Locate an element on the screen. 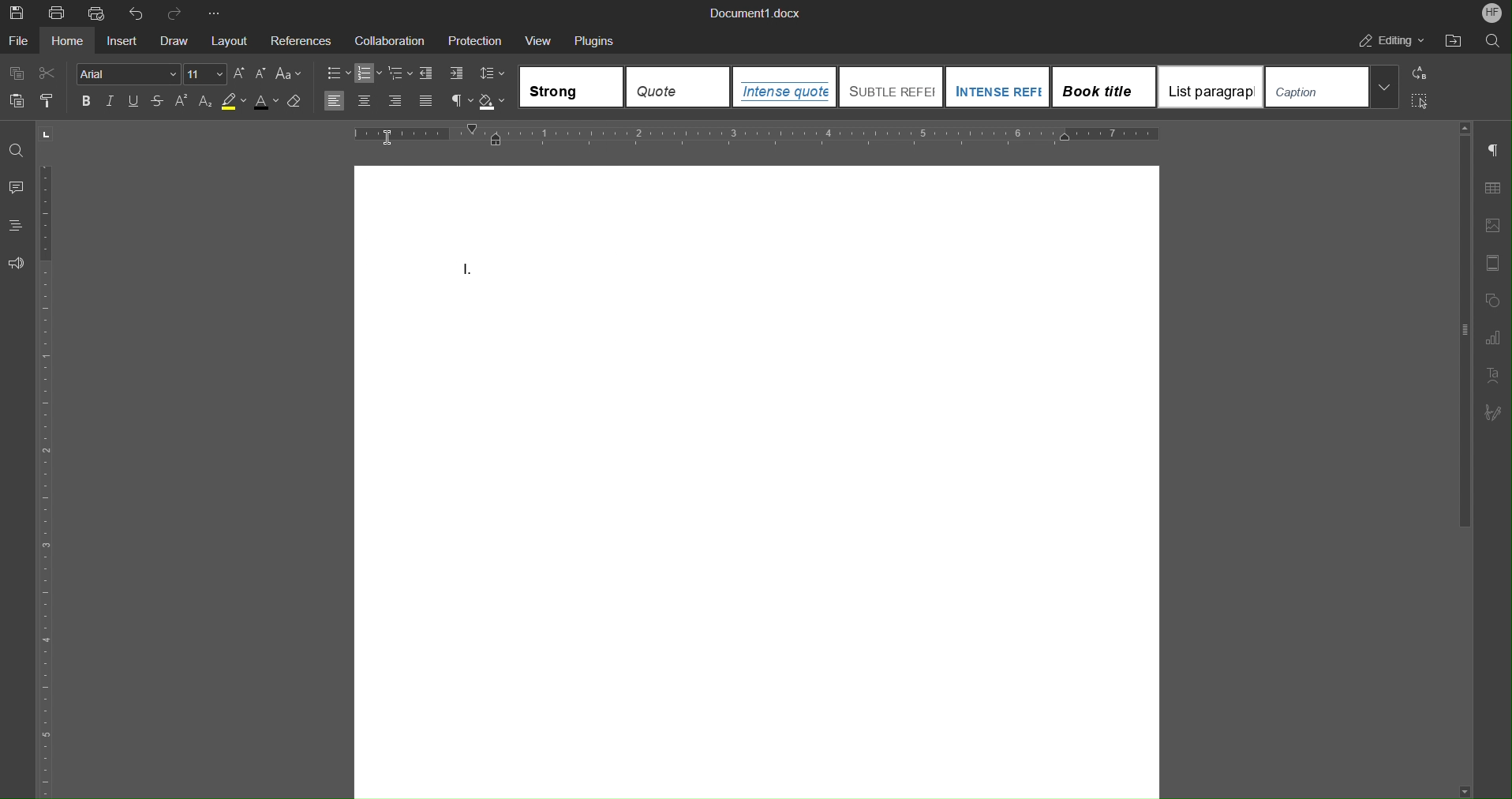 The width and height of the screenshot is (1512, 799). Subscript is located at coordinates (204, 102).